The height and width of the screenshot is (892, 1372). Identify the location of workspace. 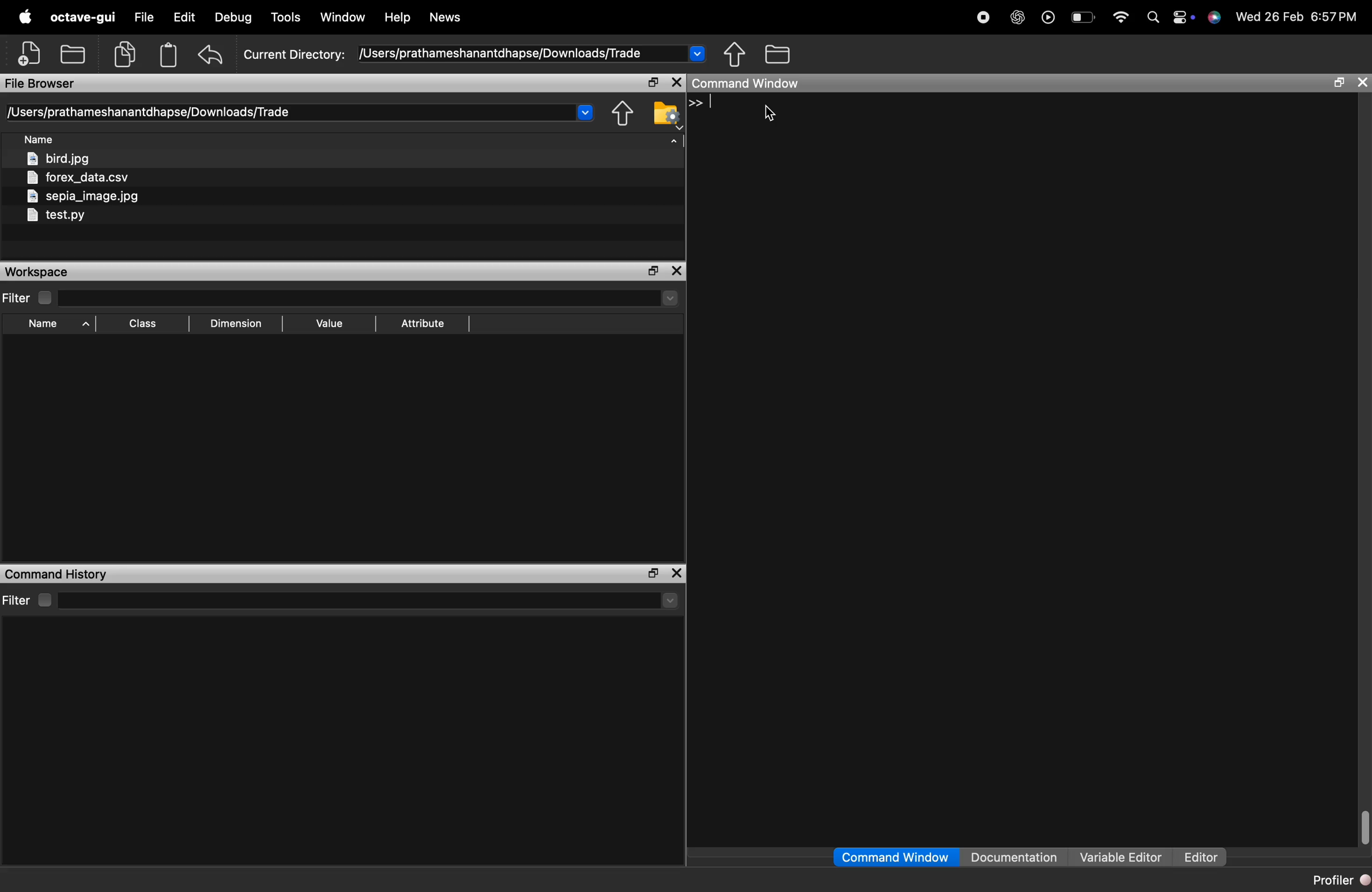
(41, 272).